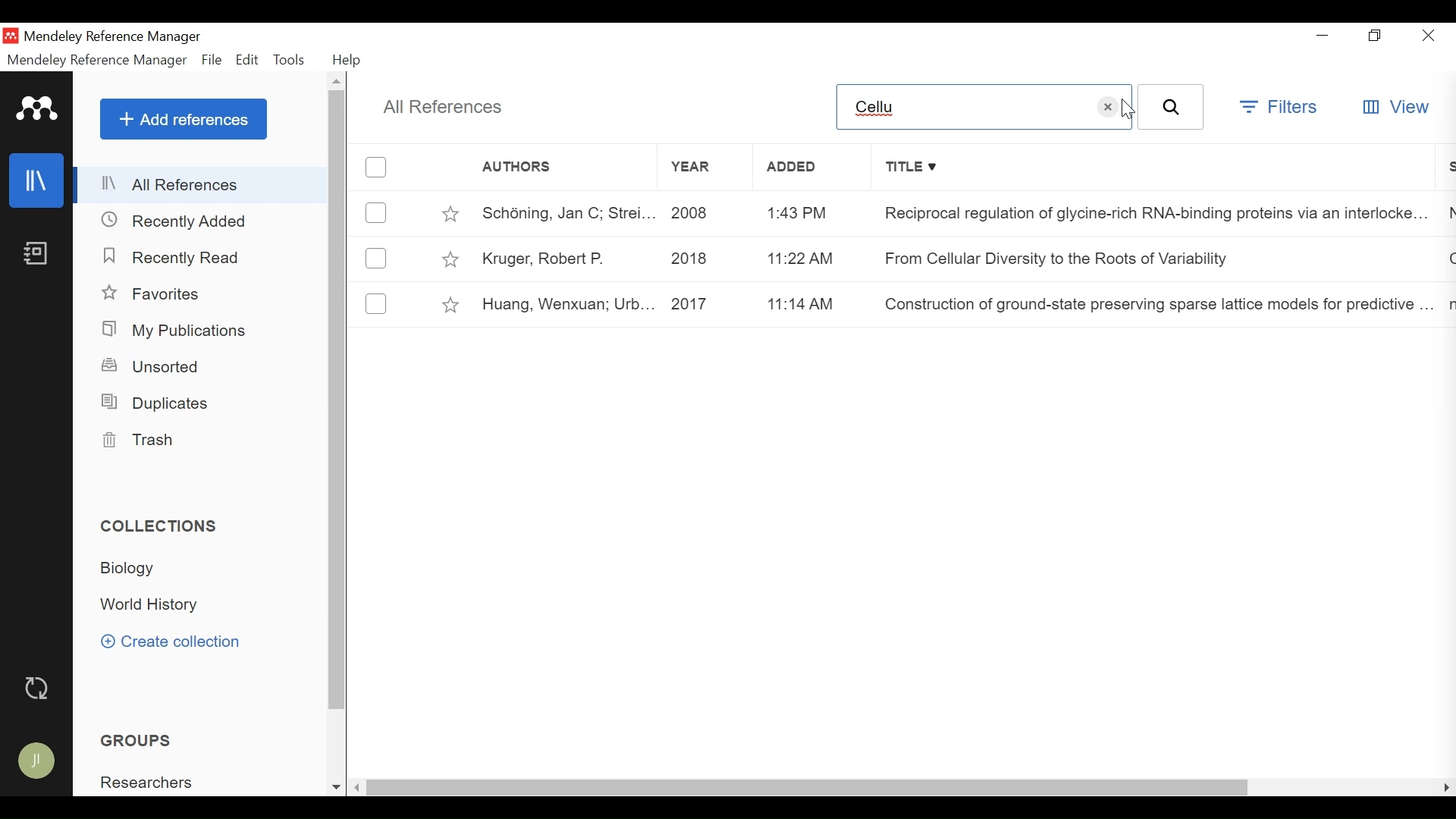 Image resolution: width=1456 pixels, height=819 pixels. Describe the element at coordinates (809, 789) in the screenshot. I see `Horizontal Scroll bar` at that location.